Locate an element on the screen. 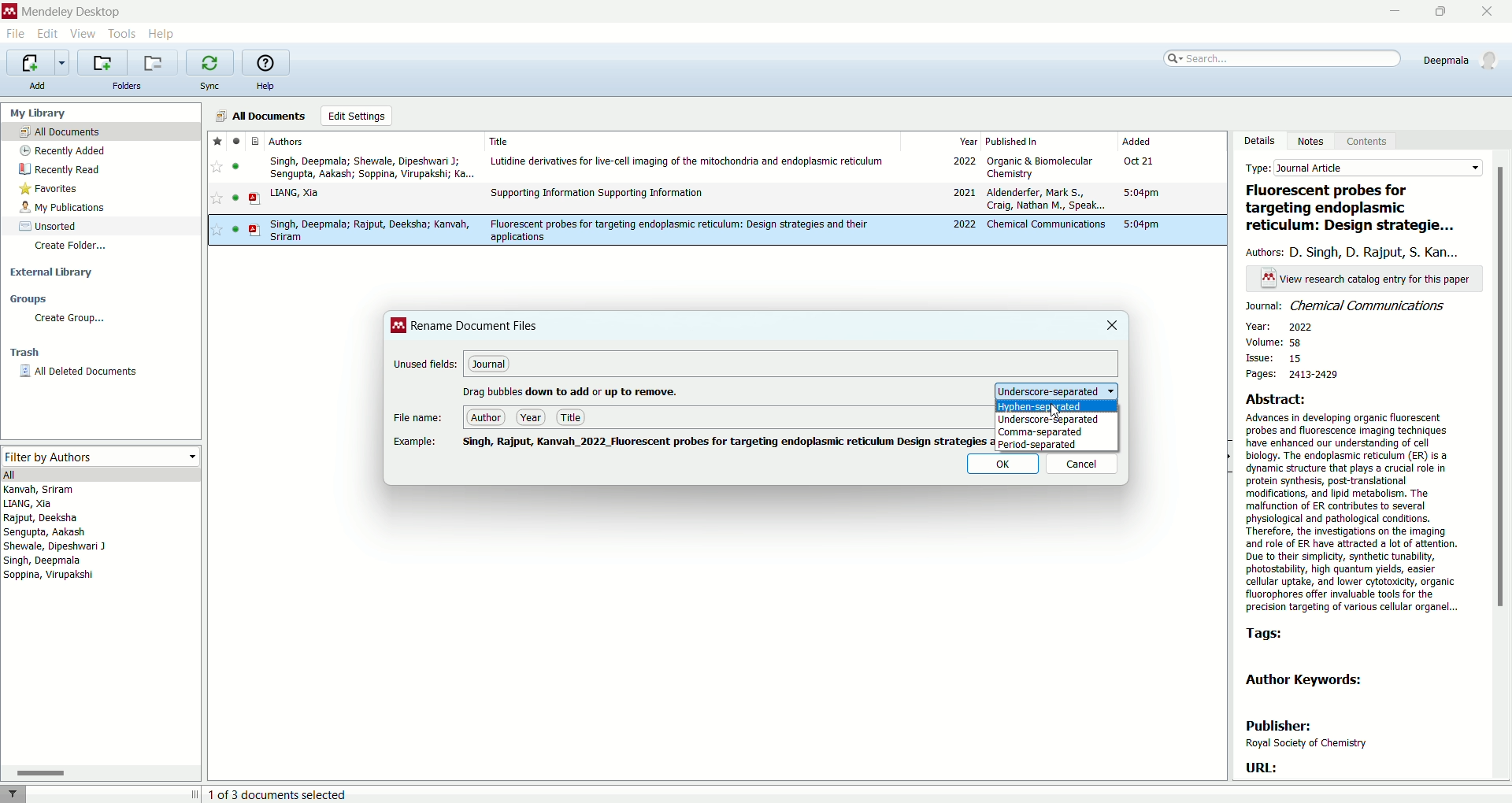  tags is located at coordinates (1273, 635).